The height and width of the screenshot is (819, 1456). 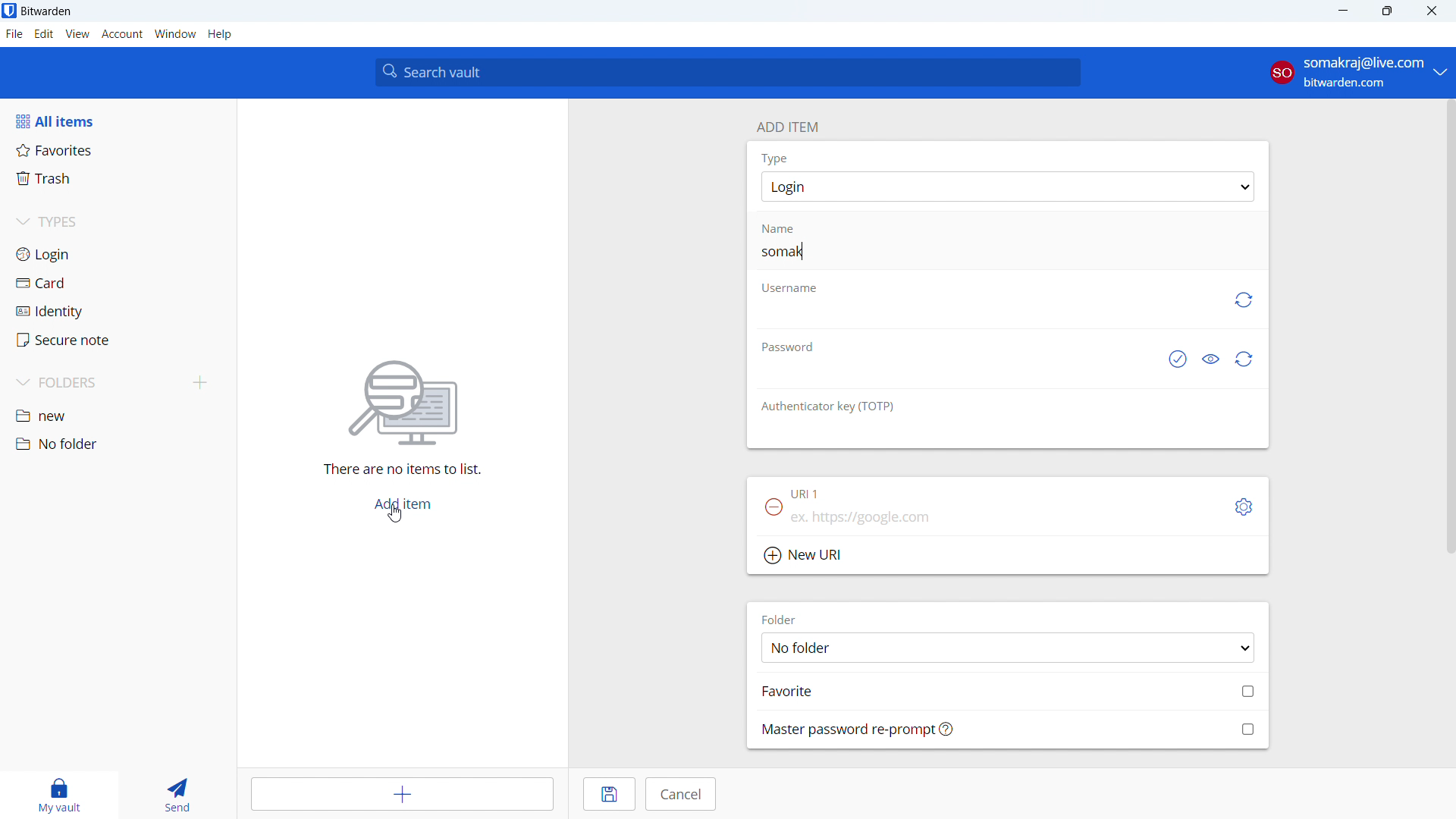 What do you see at coordinates (175, 795) in the screenshot?
I see `send` at bounding box center [175, 795].